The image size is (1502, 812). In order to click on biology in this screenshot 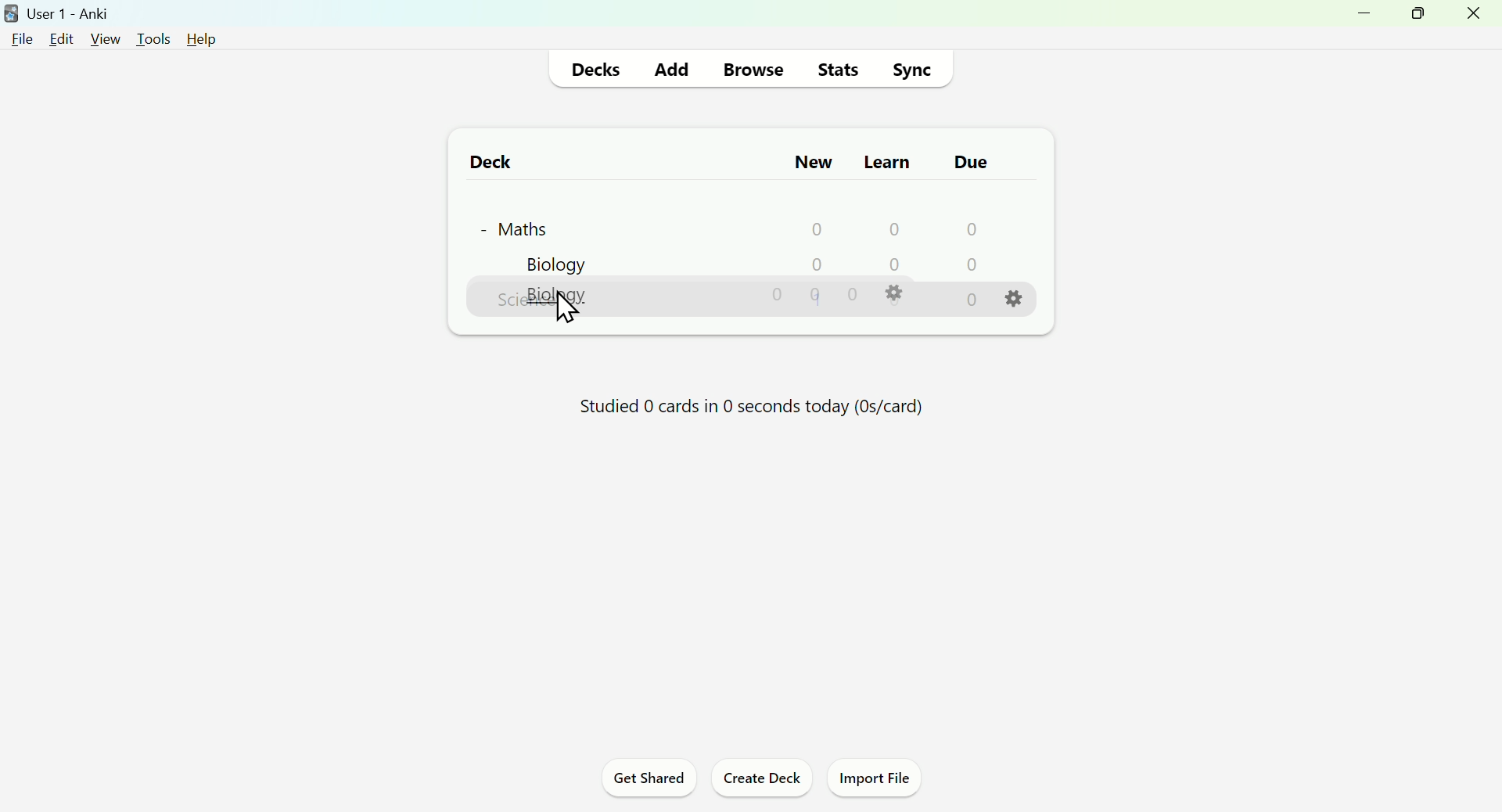, I will do `click(547, 264)`.